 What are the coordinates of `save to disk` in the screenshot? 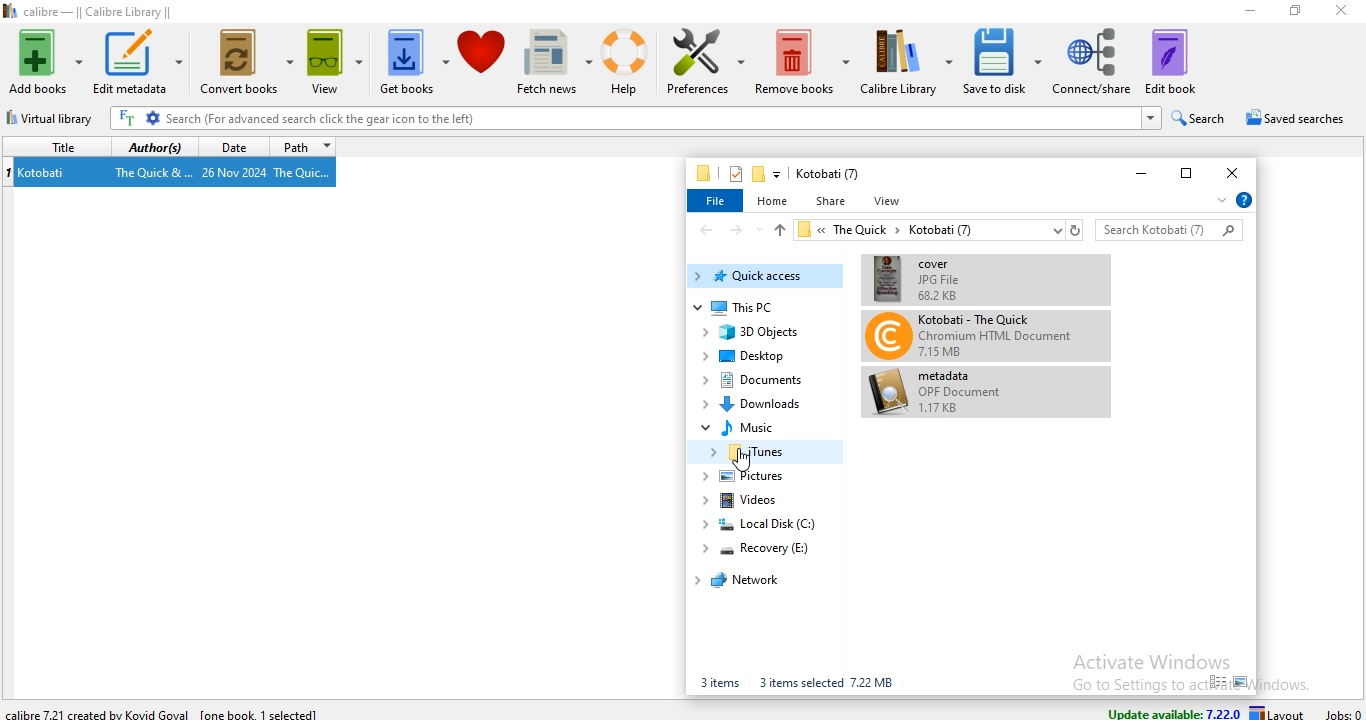 It's located at (1003, 60).